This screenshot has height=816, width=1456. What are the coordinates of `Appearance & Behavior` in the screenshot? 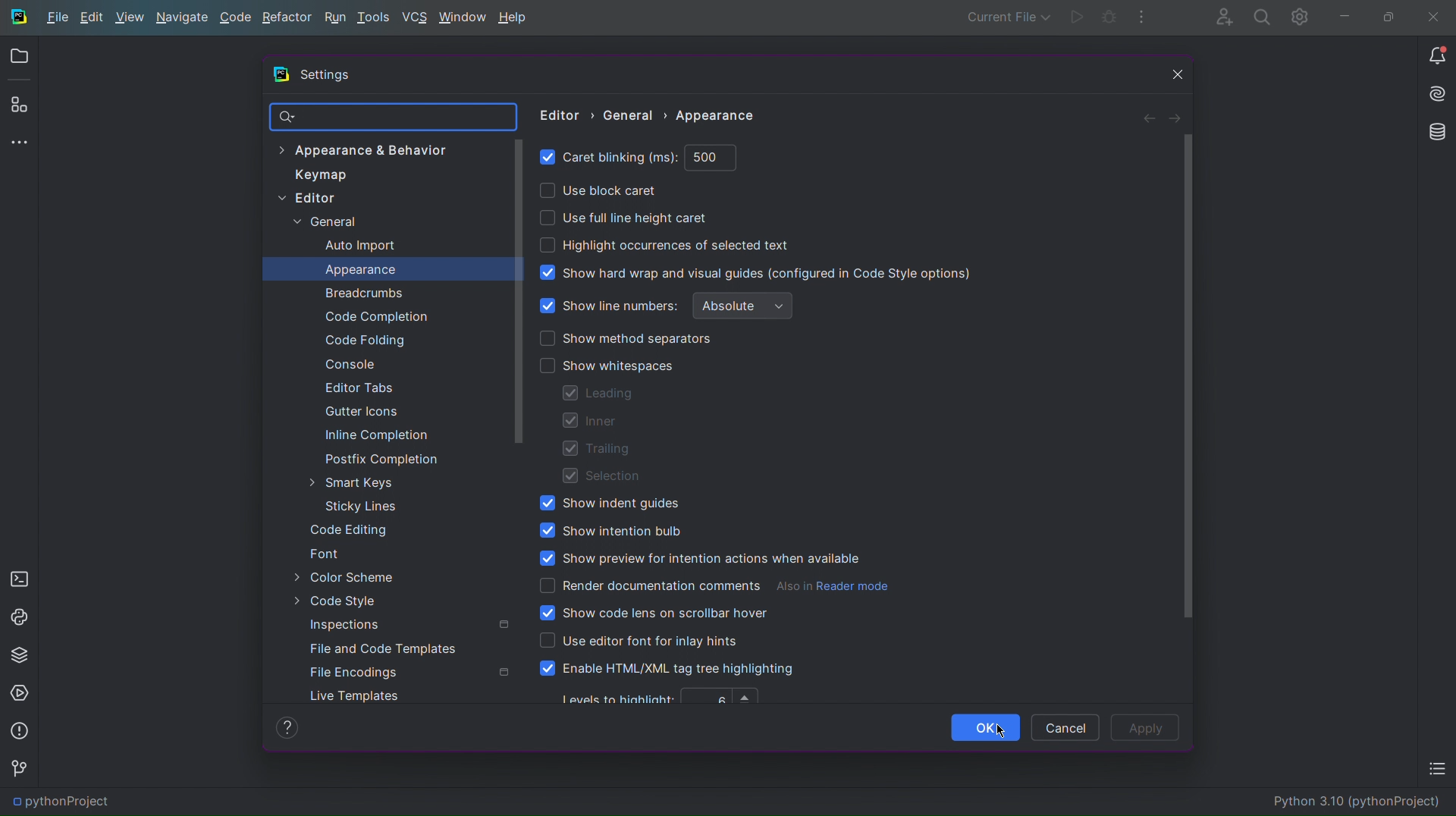 It's located at (362, 149).